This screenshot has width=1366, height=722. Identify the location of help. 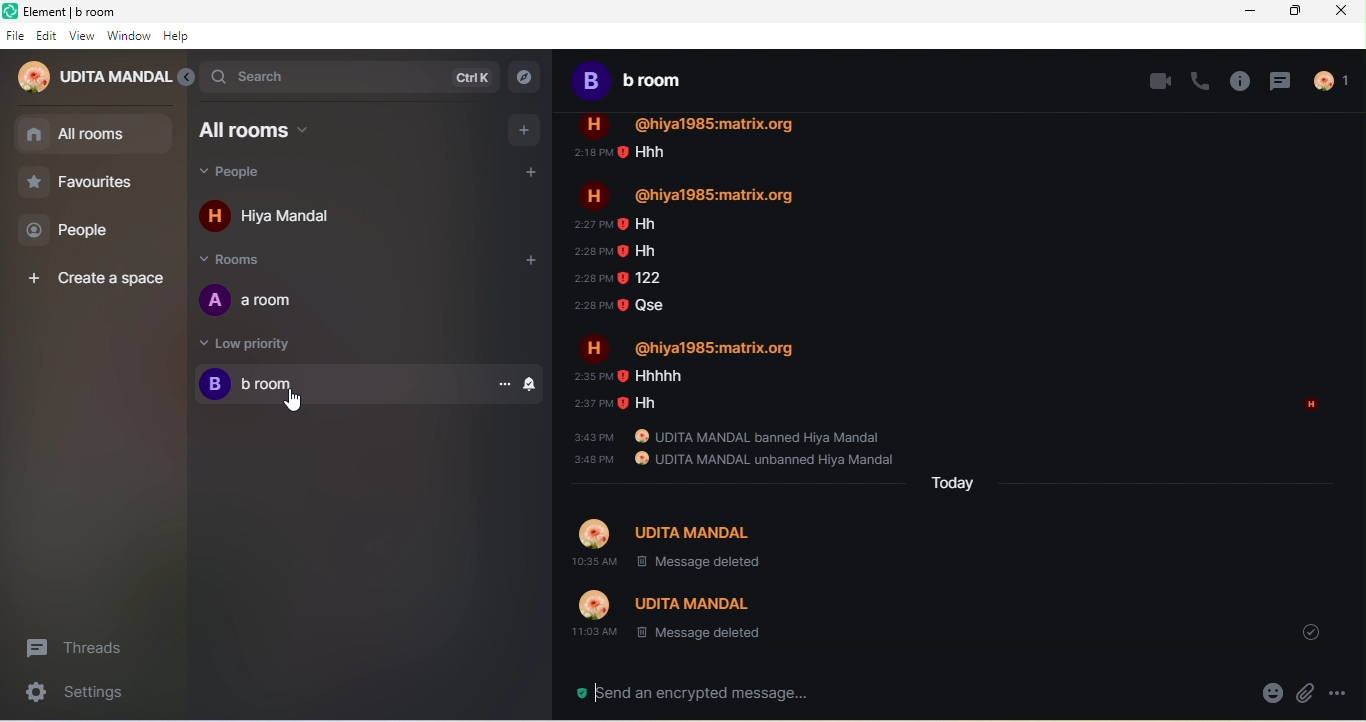
(180, 38).